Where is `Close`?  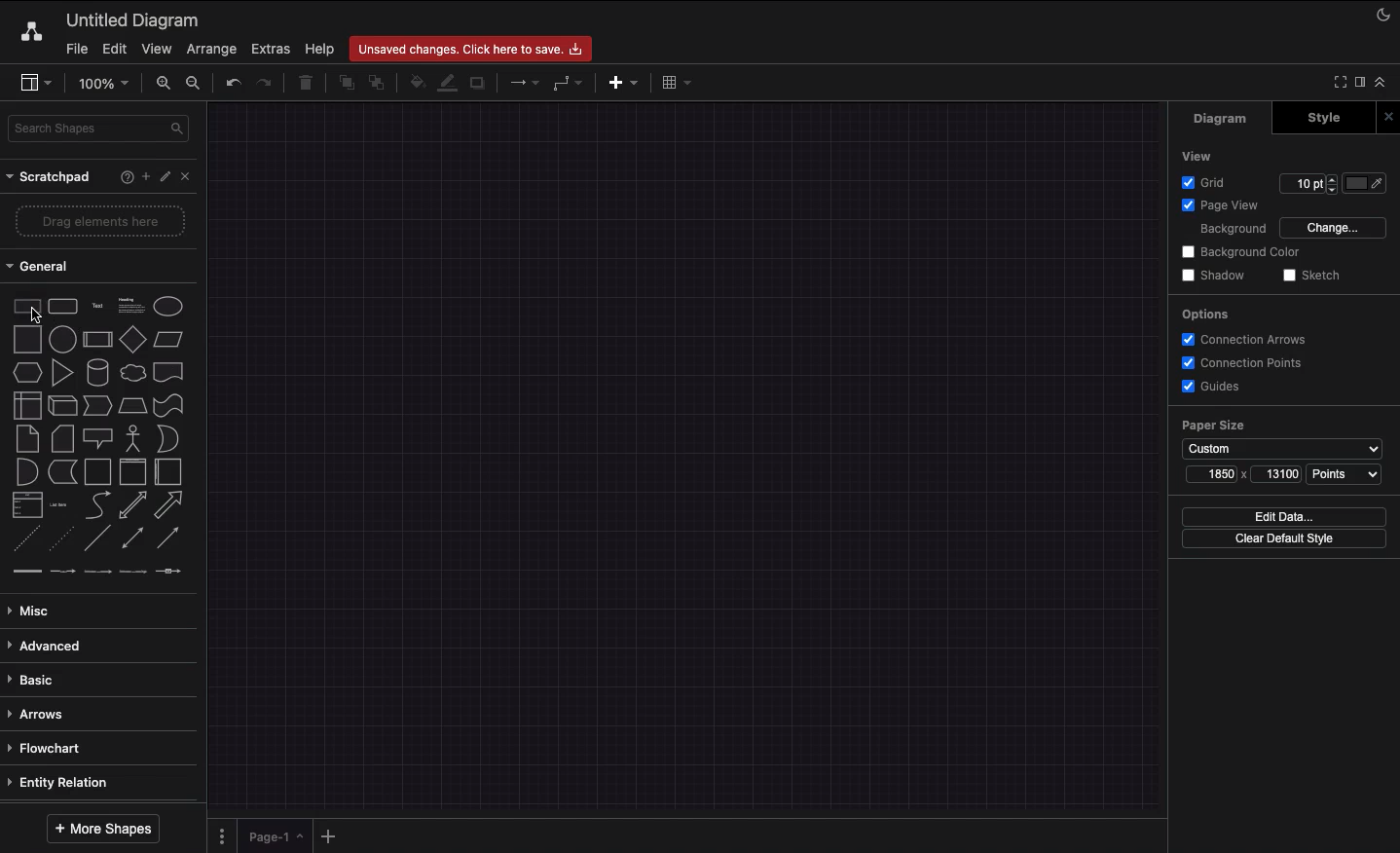 Close is located at coordinates (1391, 115).